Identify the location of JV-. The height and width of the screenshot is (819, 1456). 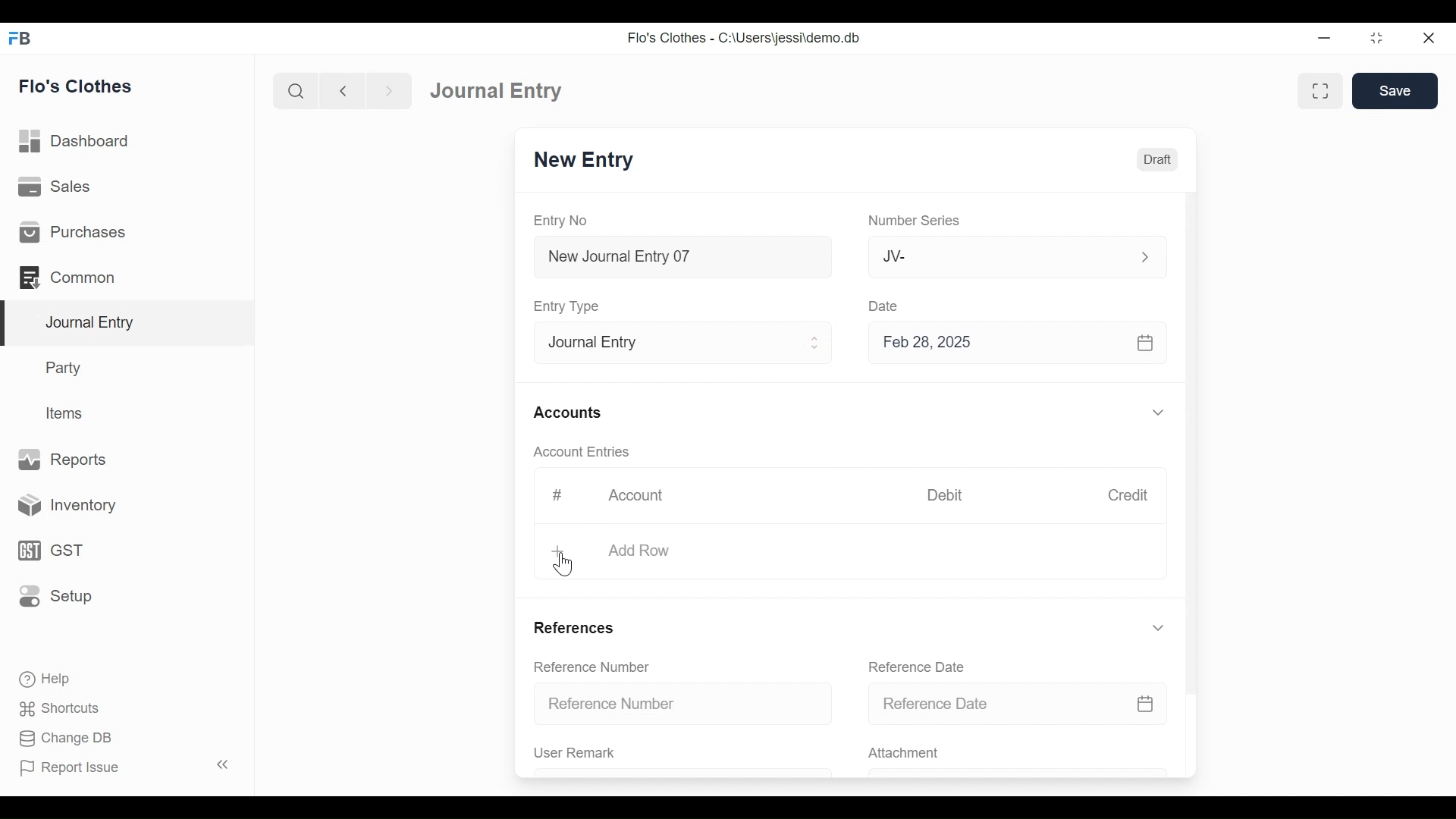
(990, 257).